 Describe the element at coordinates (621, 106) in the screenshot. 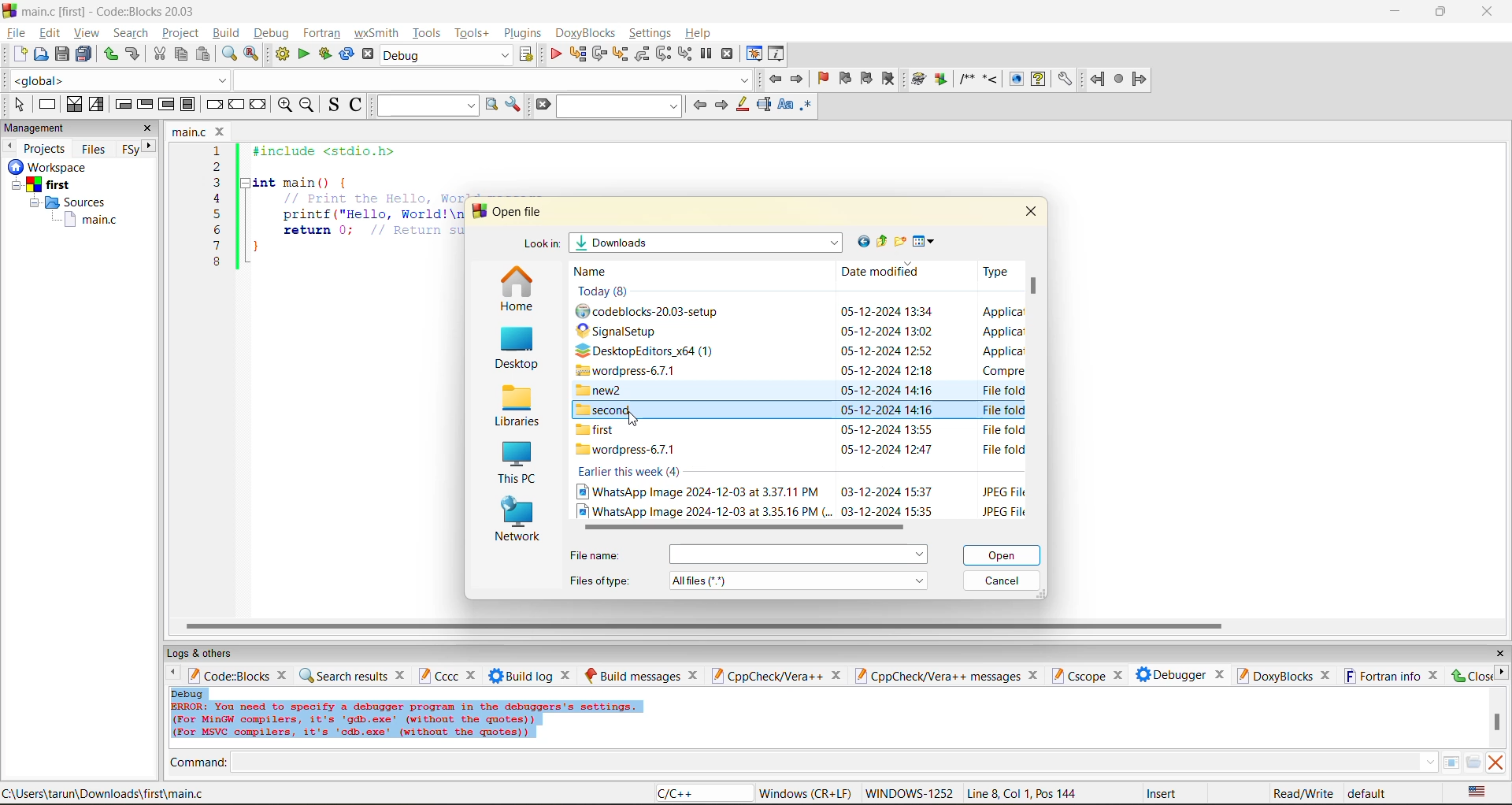

I see `search` at that location.